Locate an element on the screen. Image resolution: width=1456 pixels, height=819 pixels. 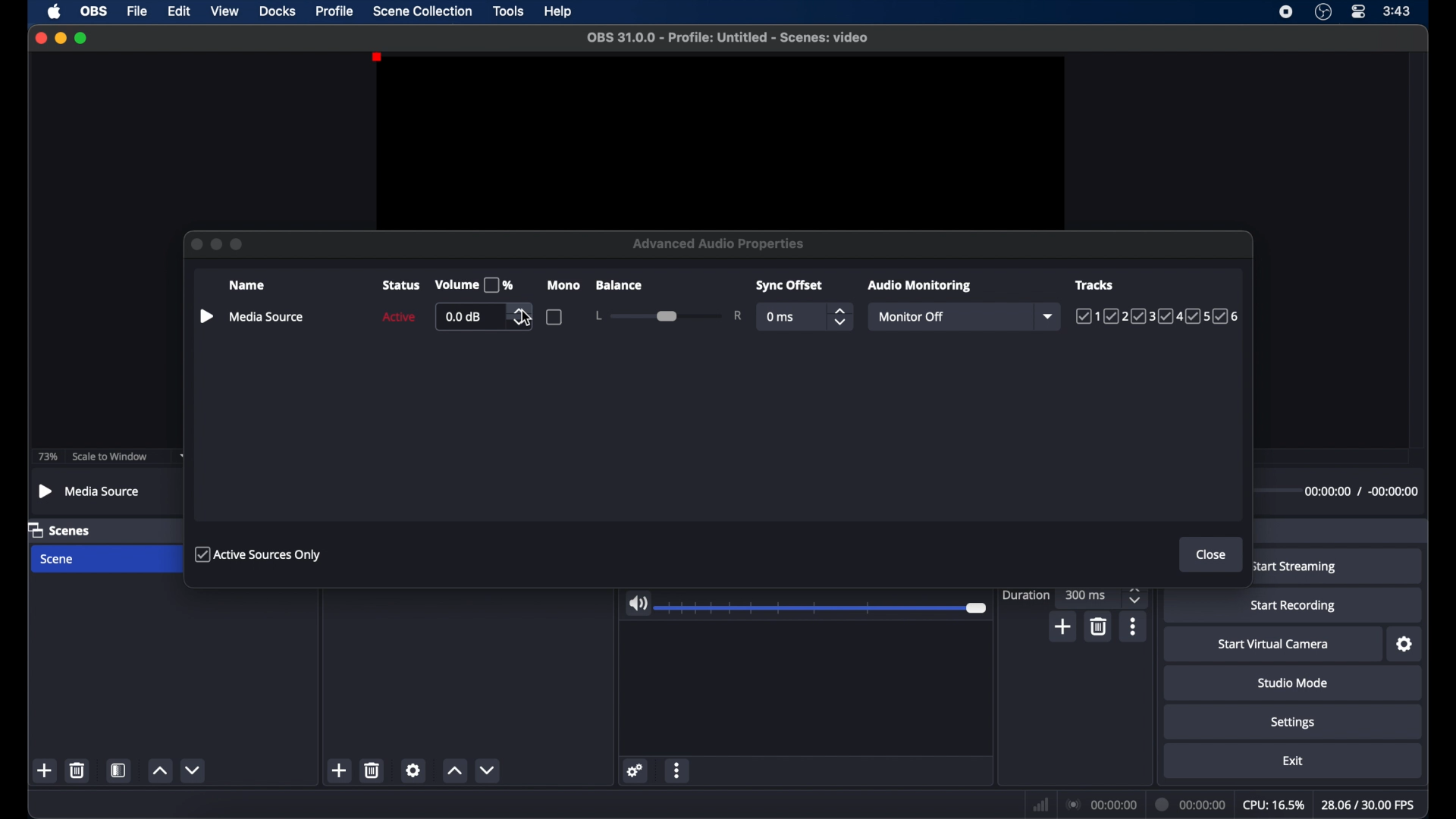
cursor is located at coordinates (528, 319).